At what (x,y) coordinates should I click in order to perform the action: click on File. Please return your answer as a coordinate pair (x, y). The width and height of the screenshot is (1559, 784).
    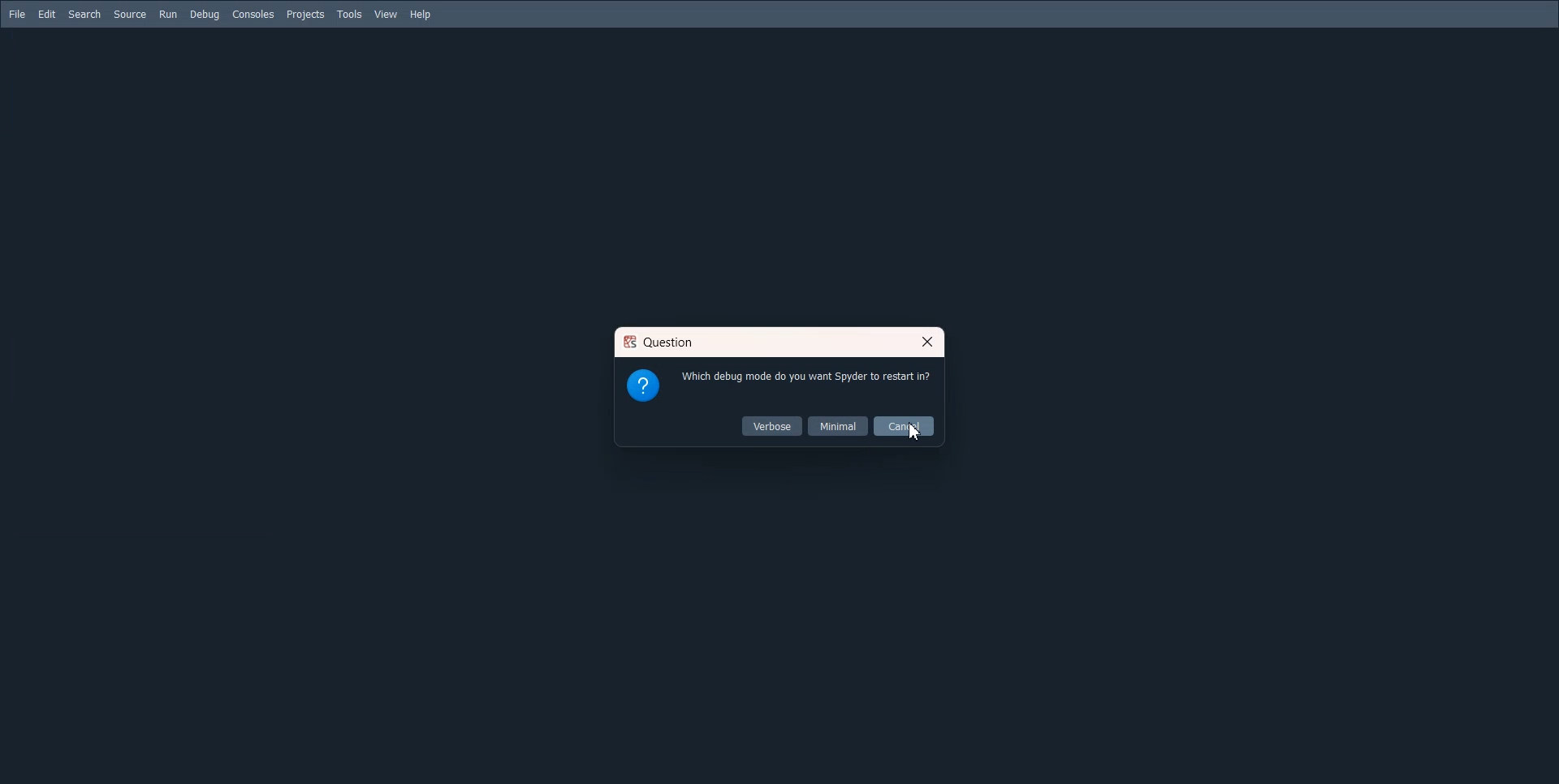
    Looking at the image, I should click on (18, 15).